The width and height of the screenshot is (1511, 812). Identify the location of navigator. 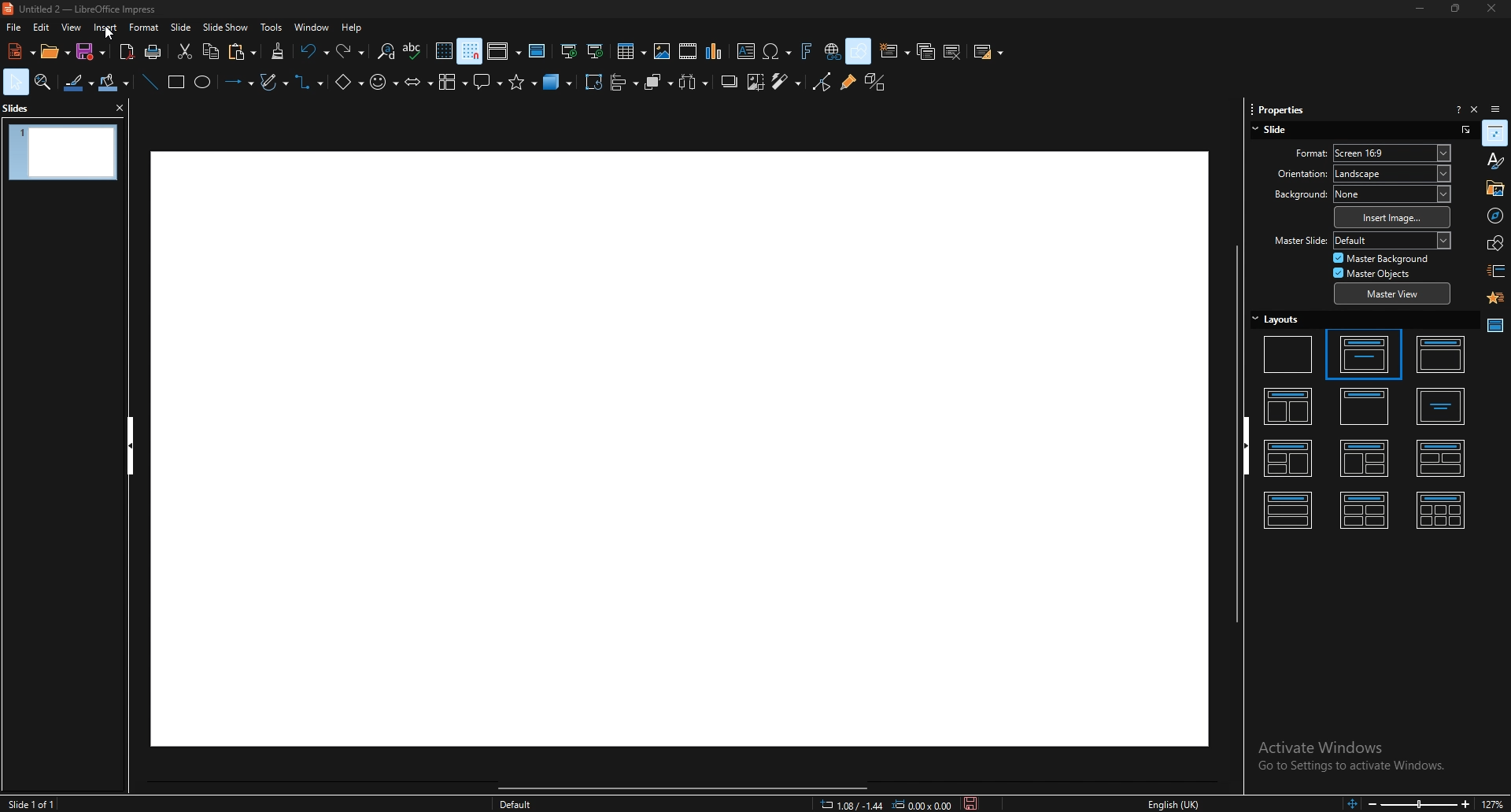
(1494, 215).